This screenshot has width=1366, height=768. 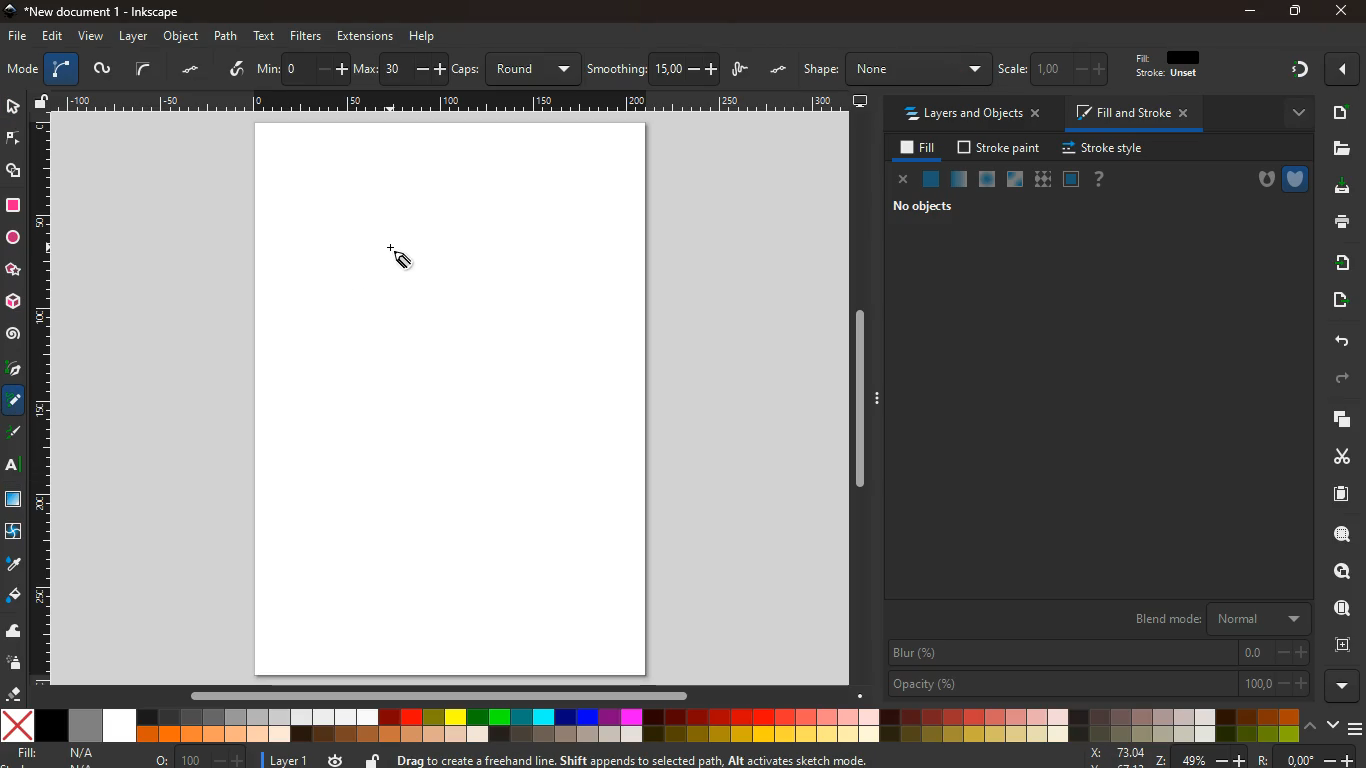 I want to click on fill and stroke, so click(x=1135, y=112).